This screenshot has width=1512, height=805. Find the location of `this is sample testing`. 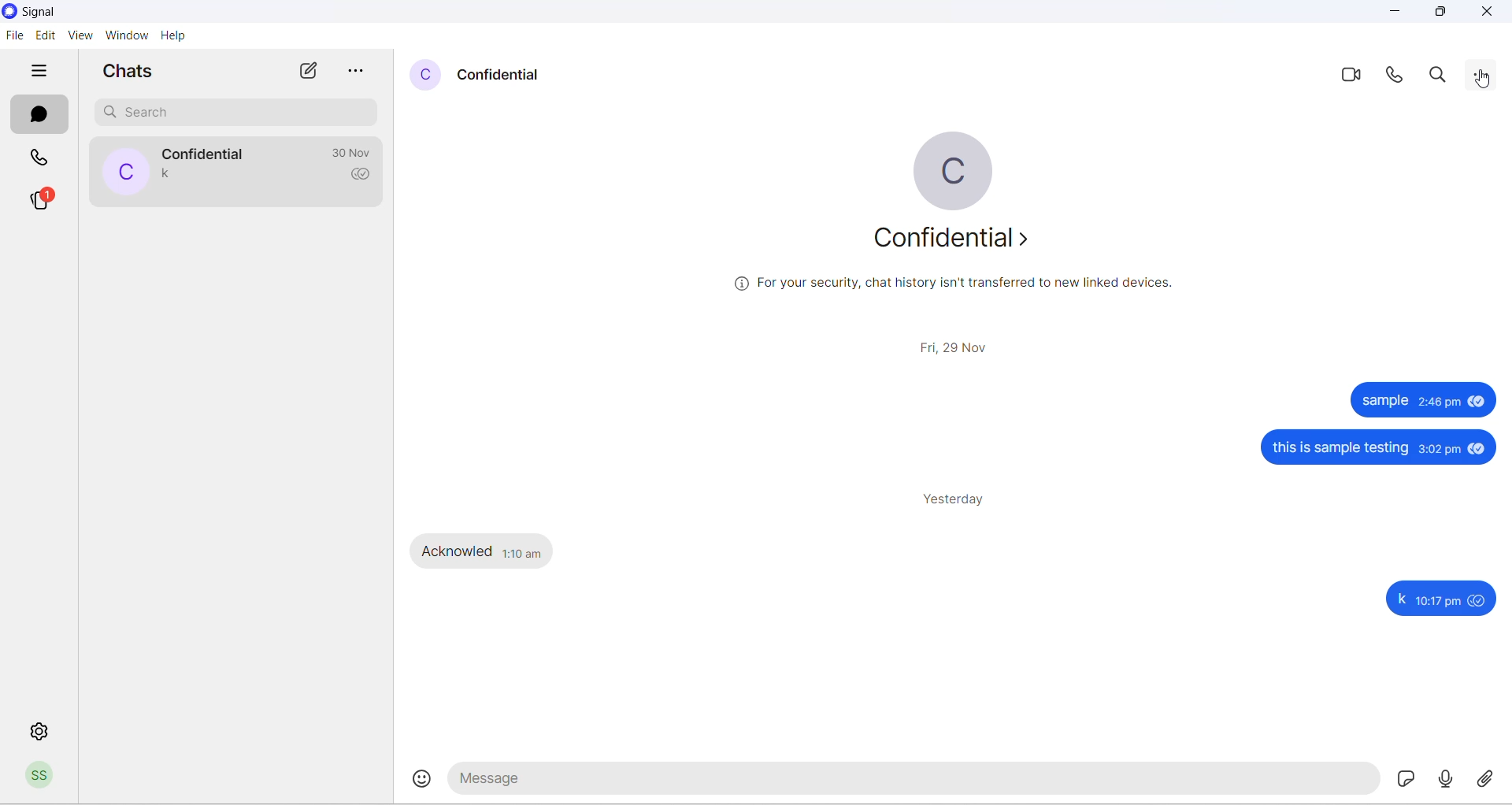

this is sample testing is located at coordinates (1340, 448).